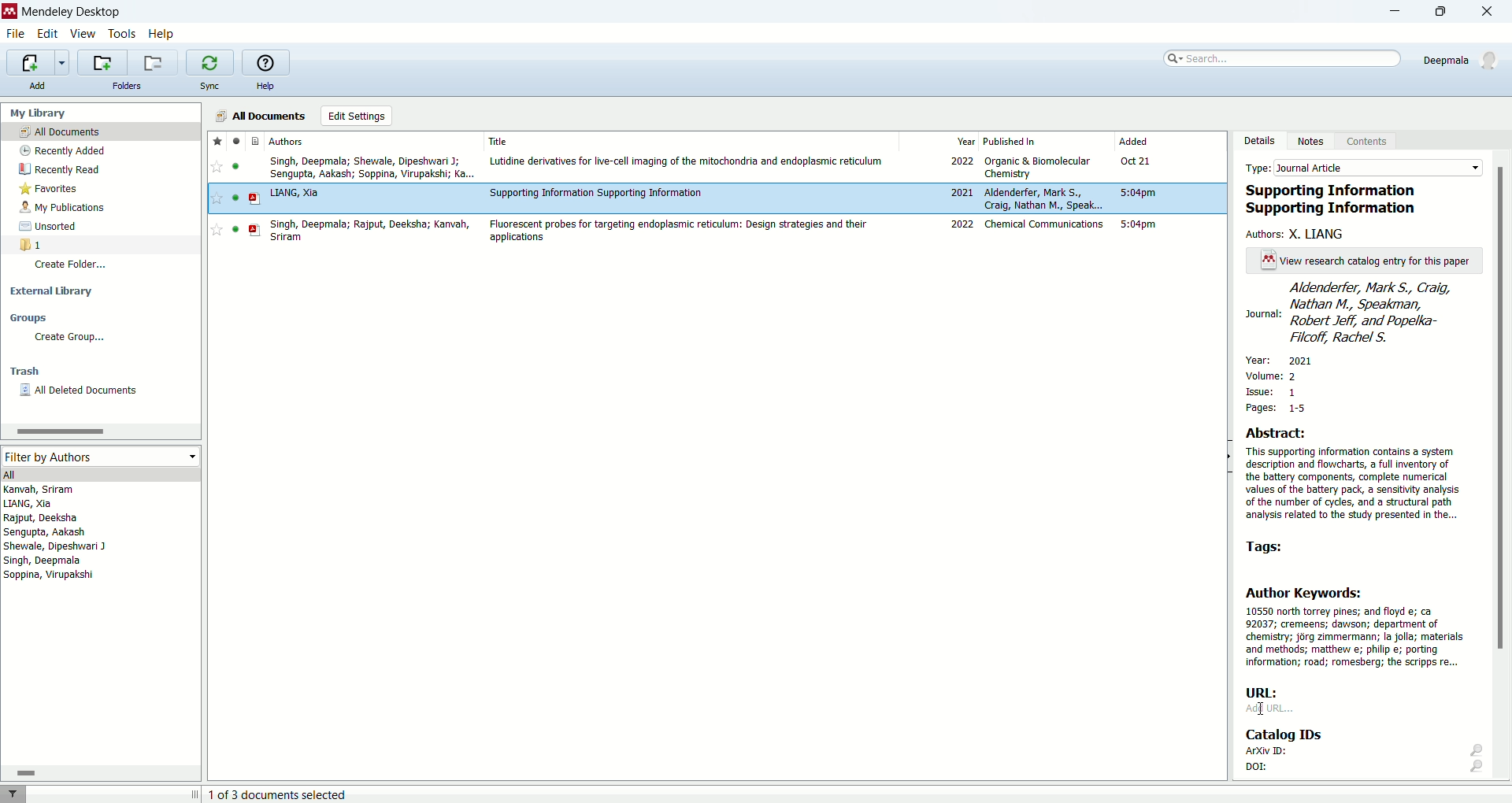  I want to click on file, so click(19, 35).